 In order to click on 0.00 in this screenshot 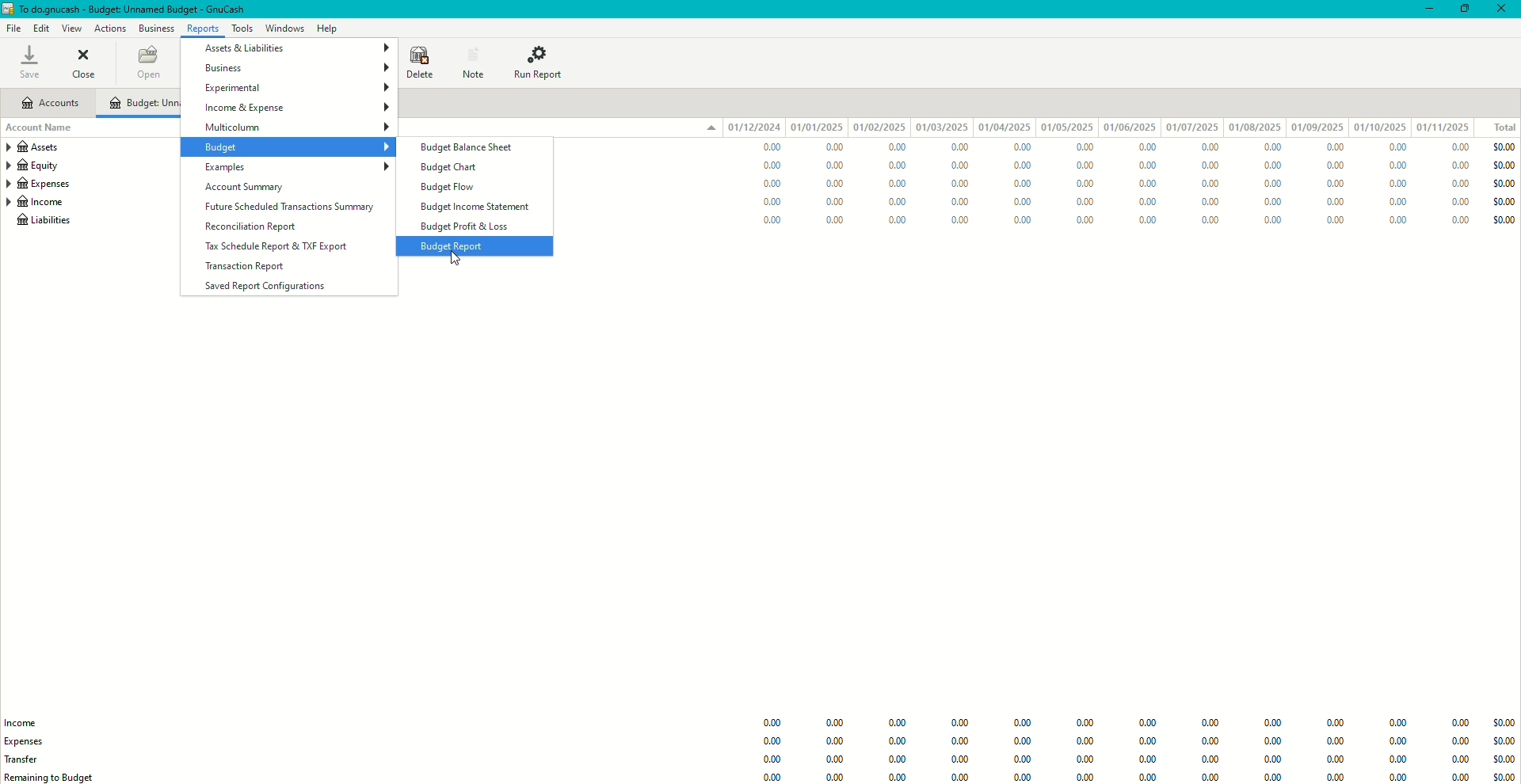, I will do `click(1274, 221)`.